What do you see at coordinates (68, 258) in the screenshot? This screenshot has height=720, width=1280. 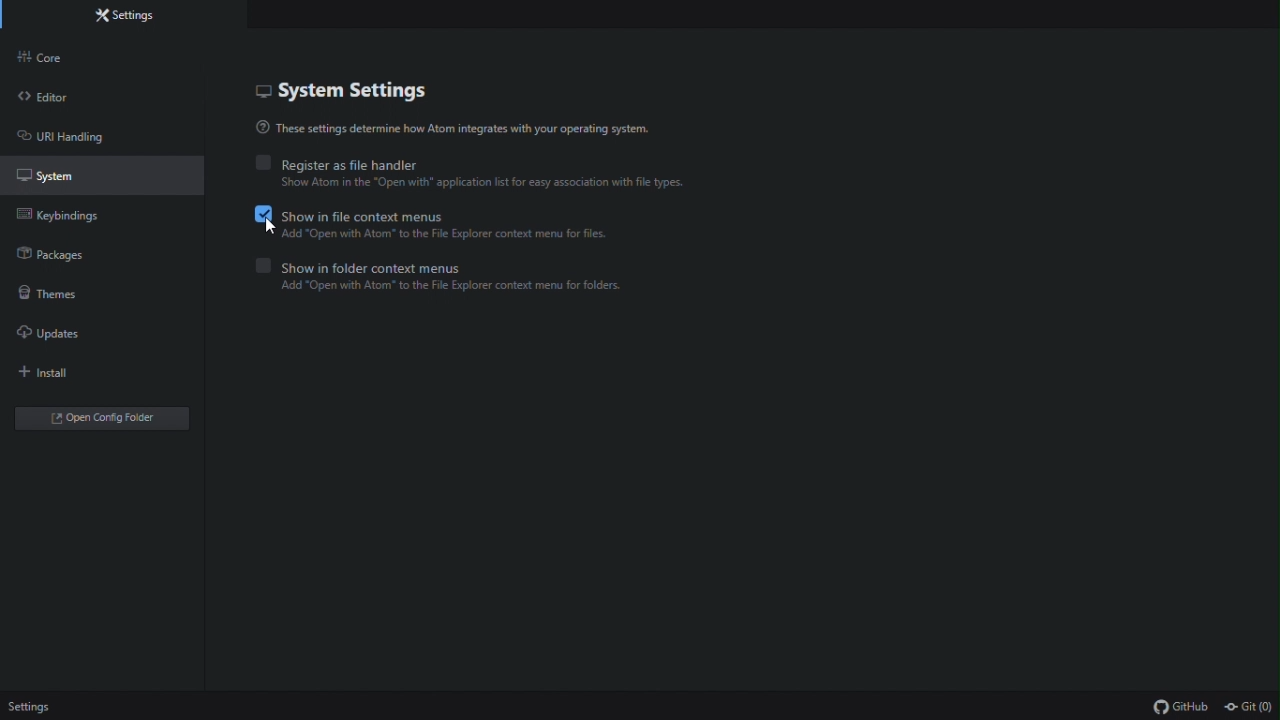 I see `Packages` at bounding box center [68, 258].